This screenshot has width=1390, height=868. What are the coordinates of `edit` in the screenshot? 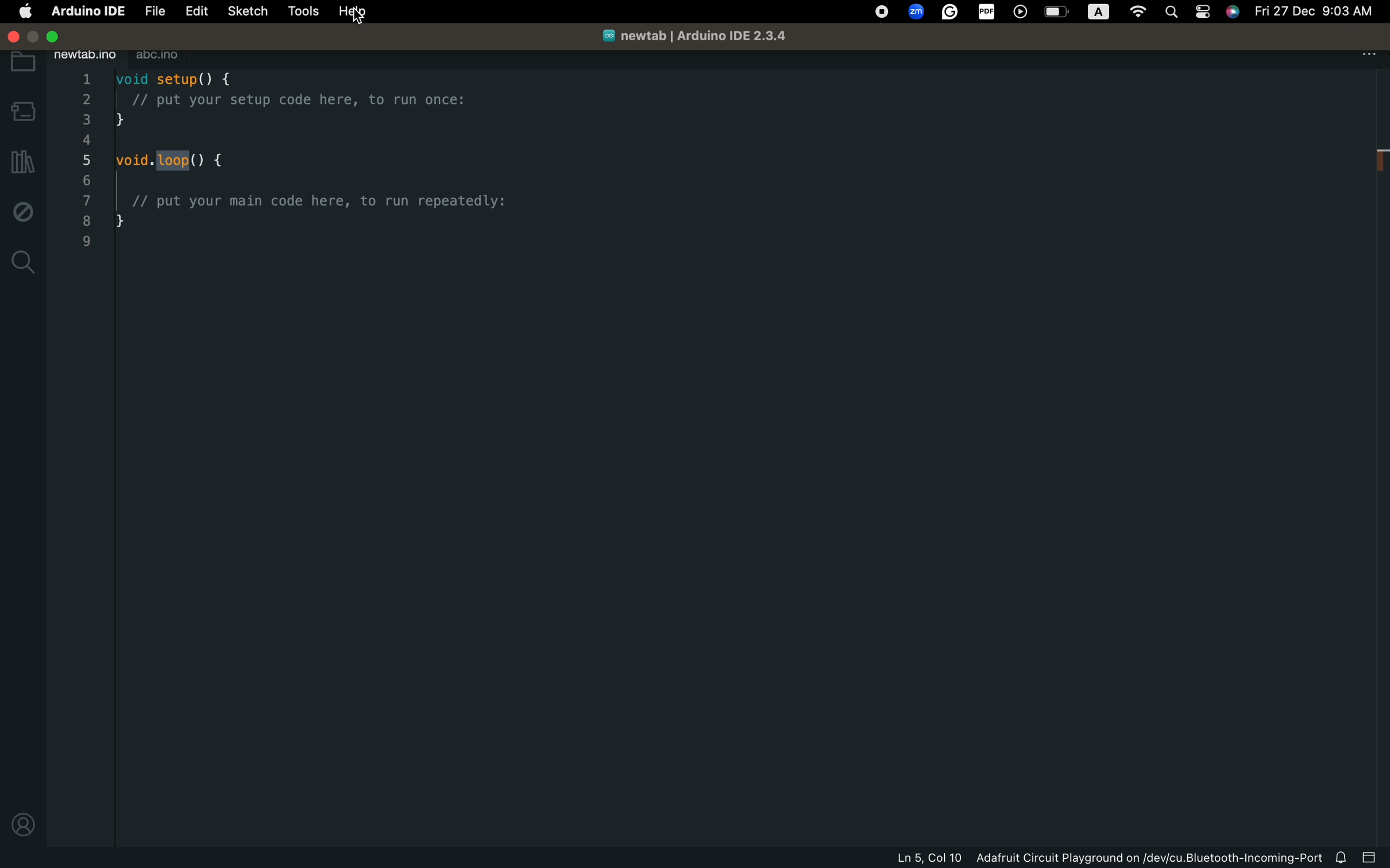 It's located at (193, 11).